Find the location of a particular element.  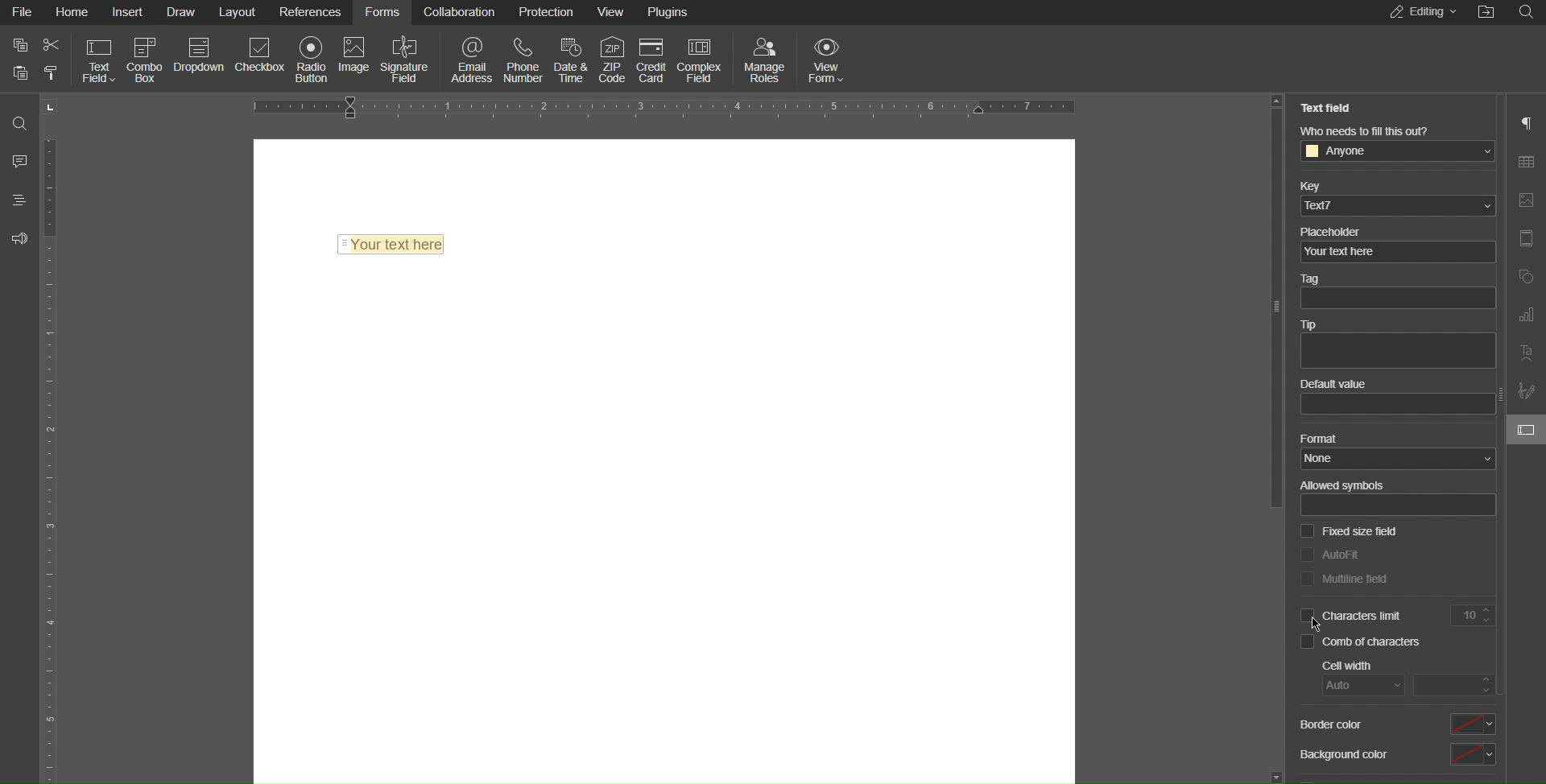

Placeholder is located at coordinates (1395, 242).